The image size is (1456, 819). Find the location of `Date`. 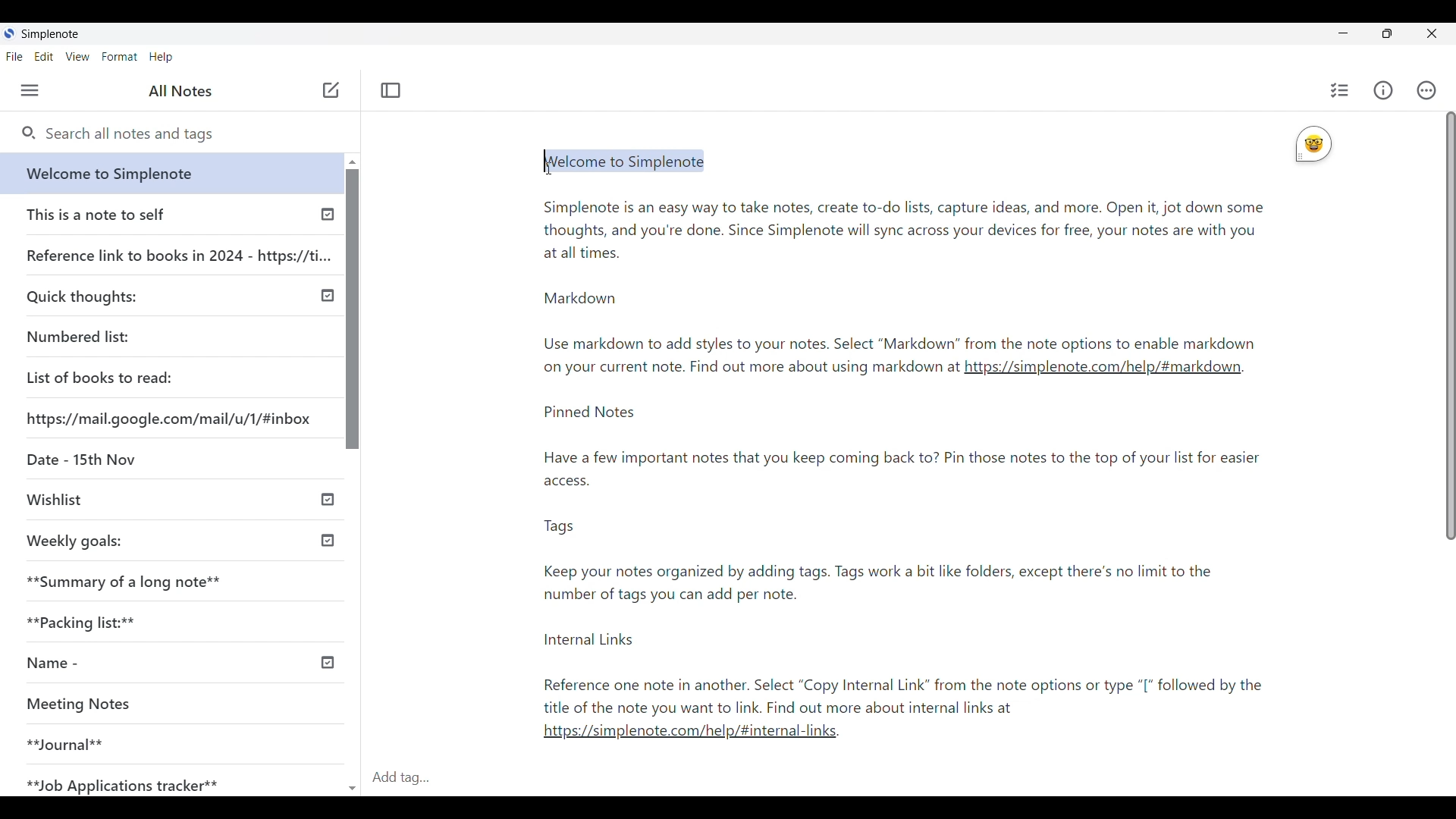

Date is located at coordinates (80, 457).